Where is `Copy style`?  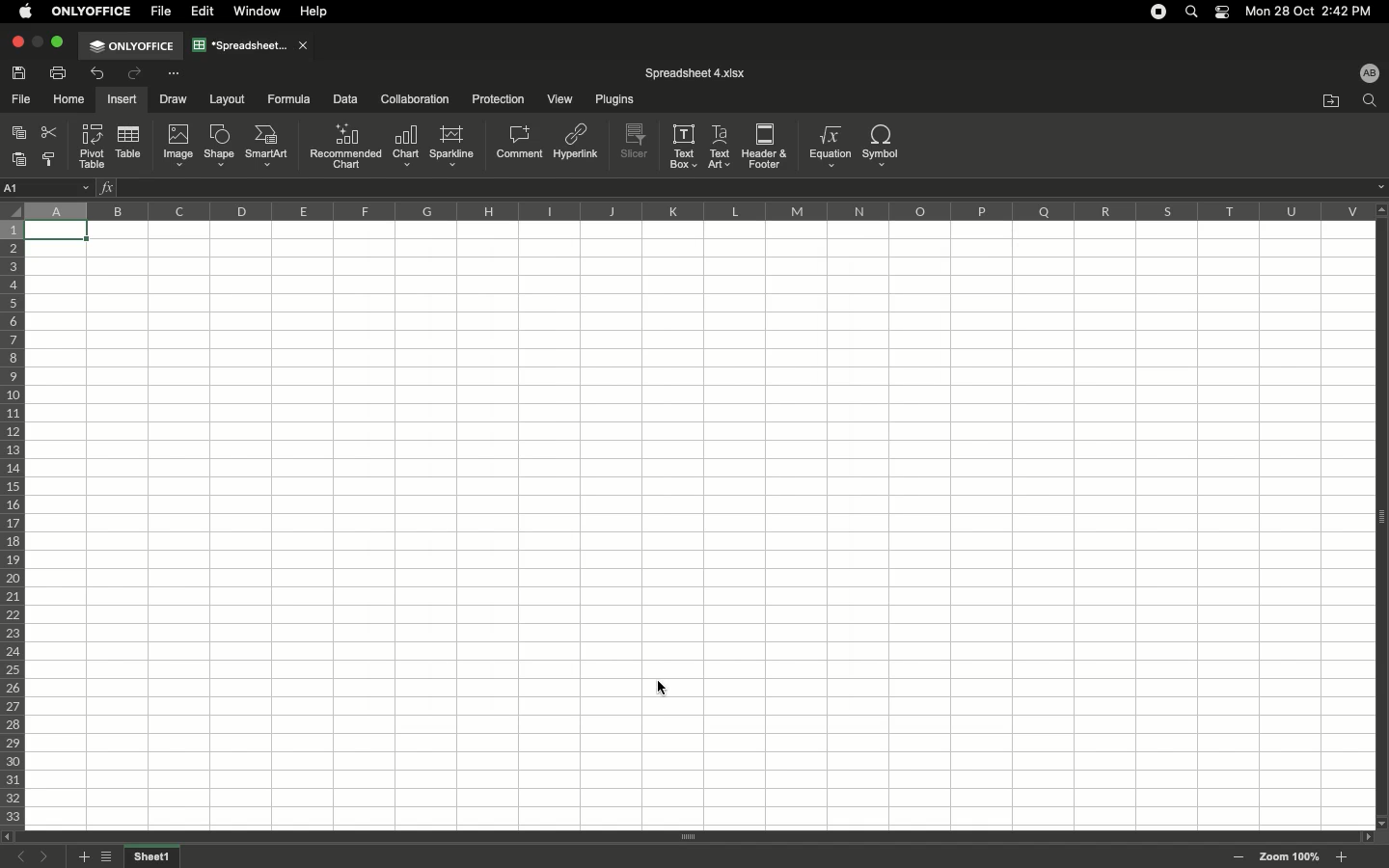 Copy style is located at coordinates (51, 160).